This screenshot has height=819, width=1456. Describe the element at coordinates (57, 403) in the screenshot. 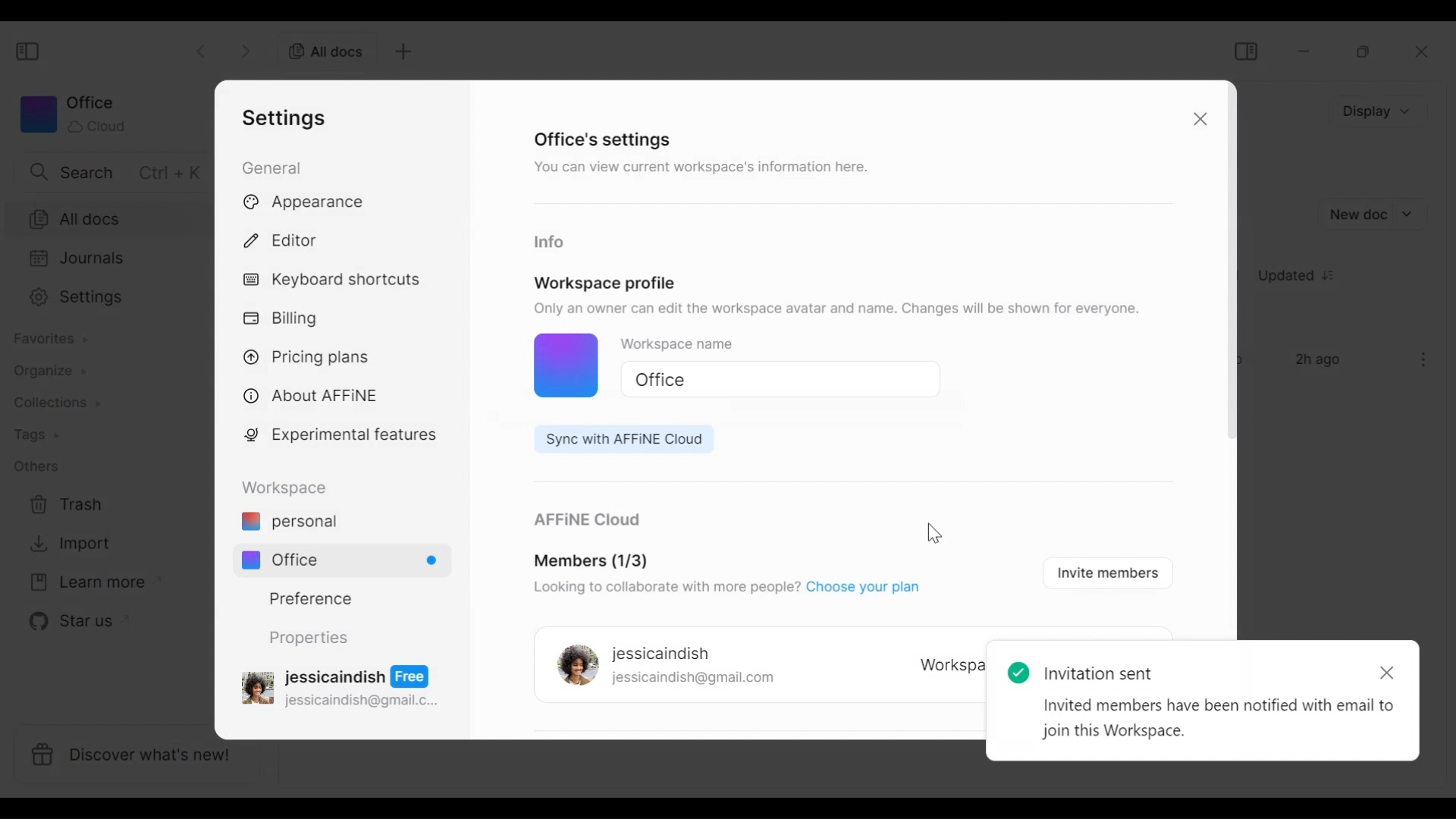

I see `collections` at that location.